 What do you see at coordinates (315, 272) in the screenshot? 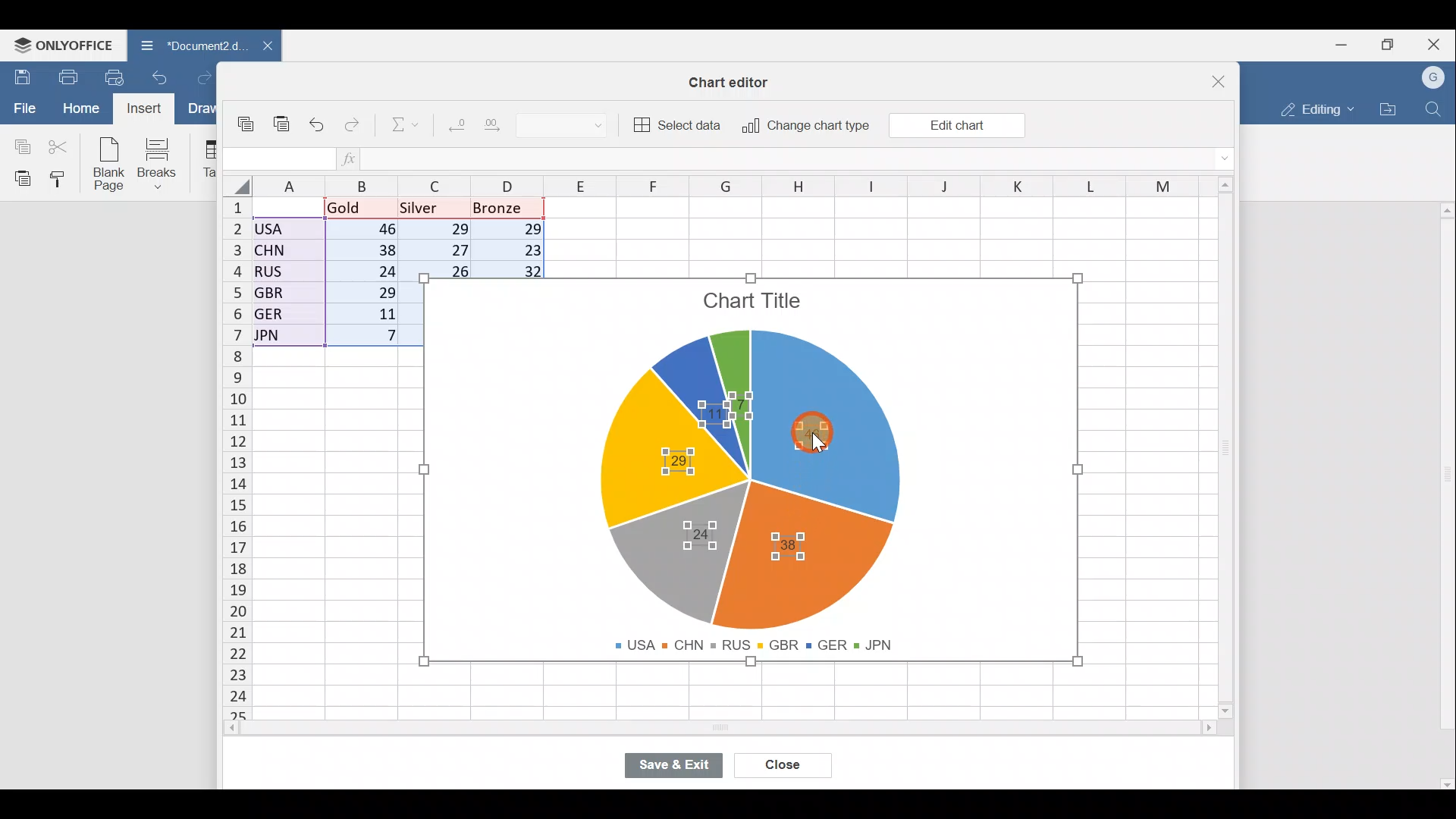
I see `Data` at bounding box center [315, 272].